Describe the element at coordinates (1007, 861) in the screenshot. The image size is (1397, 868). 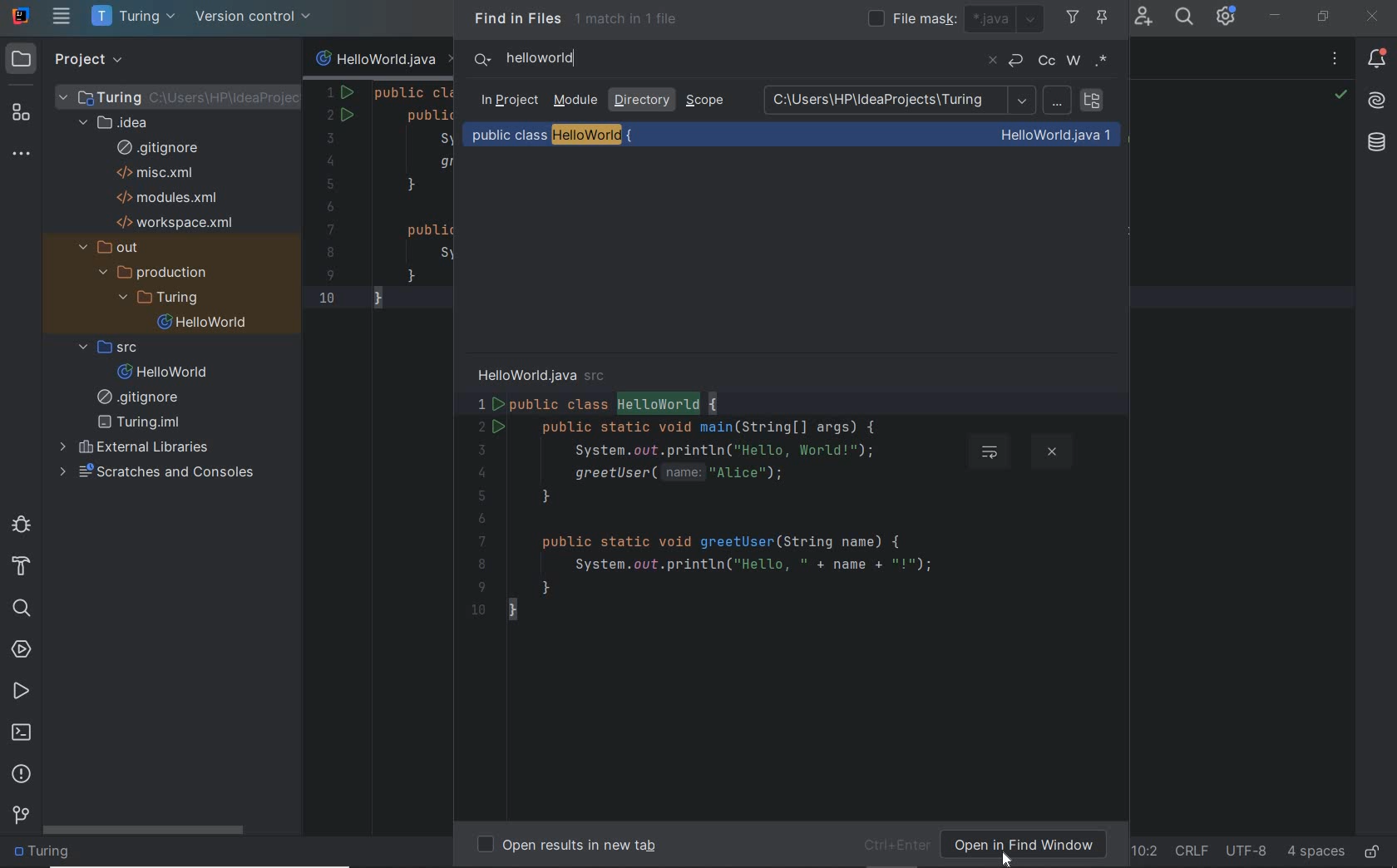
I see `cursor` at that location.